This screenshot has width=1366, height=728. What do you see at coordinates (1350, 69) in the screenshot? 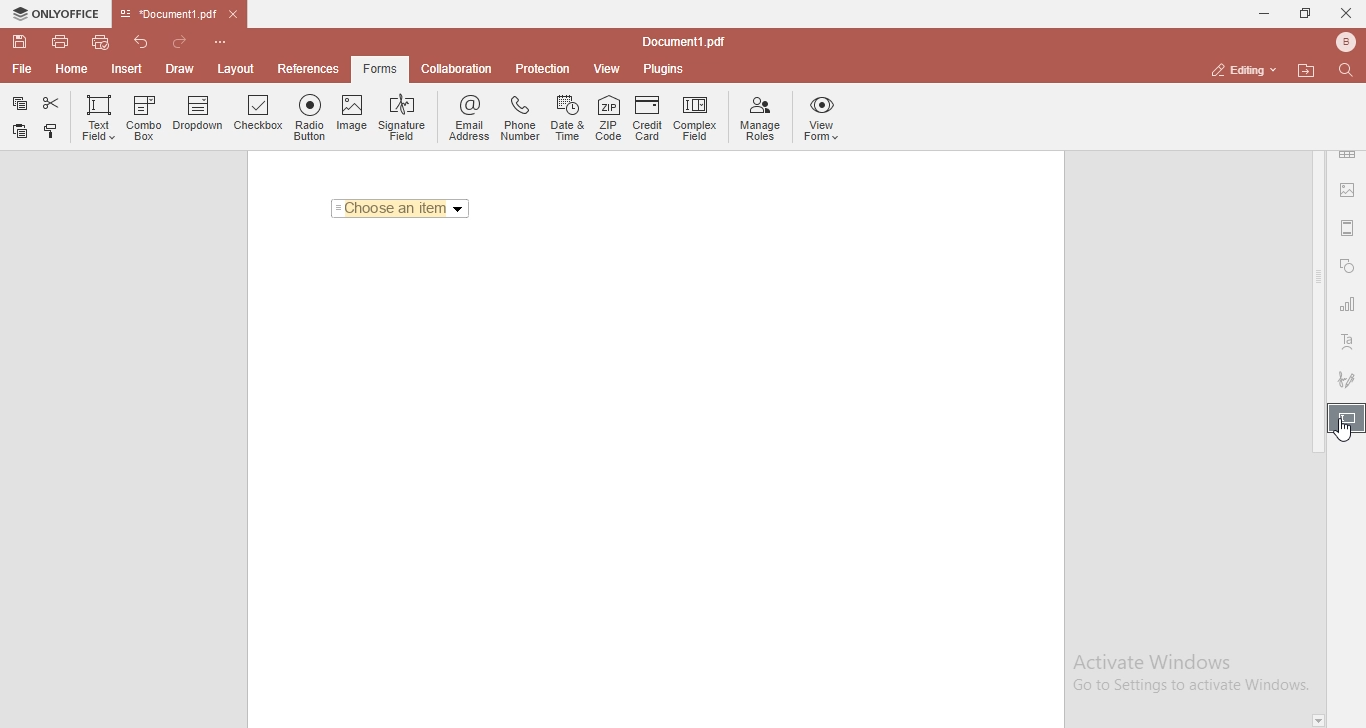
I see `find` at bounding box center [1350, 69].